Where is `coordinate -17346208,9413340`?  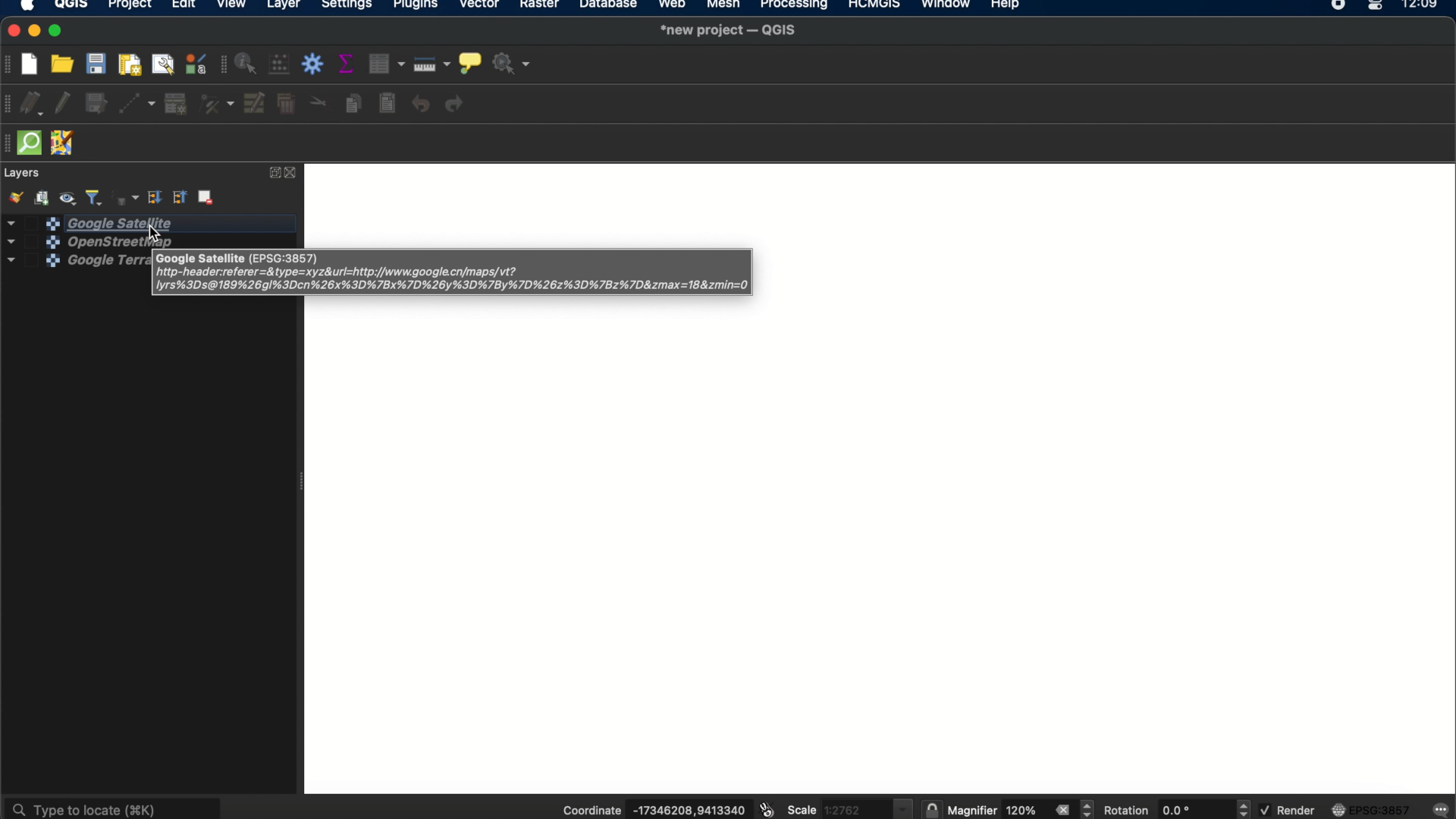 coordinate -17346208,9413340 is located at coordinates (648, 811).